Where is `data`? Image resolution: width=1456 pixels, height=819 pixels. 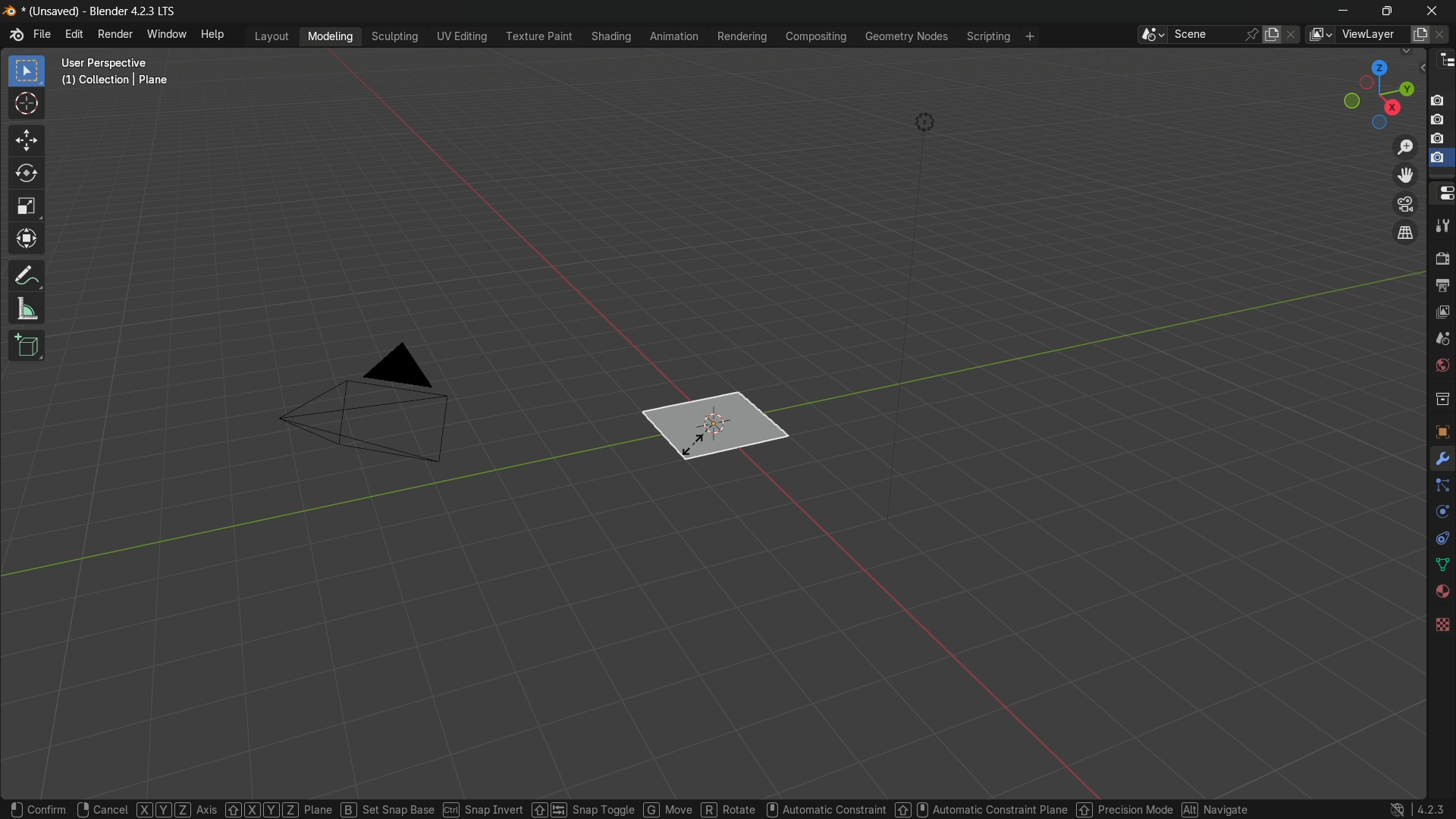
data is located at coordinates (1441, 565).